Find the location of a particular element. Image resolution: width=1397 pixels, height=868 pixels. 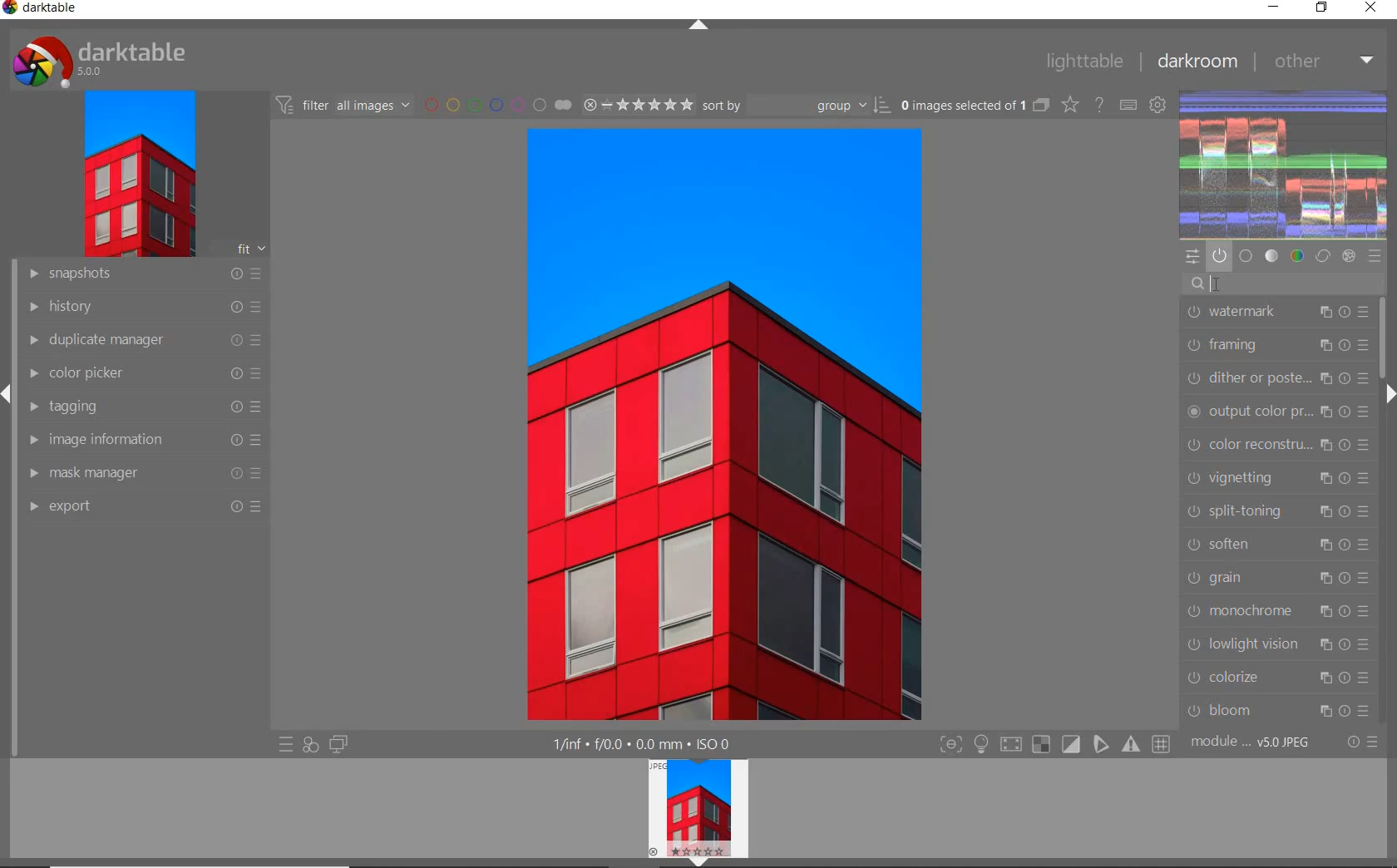

snapshots is located at coordinates (141, 276).